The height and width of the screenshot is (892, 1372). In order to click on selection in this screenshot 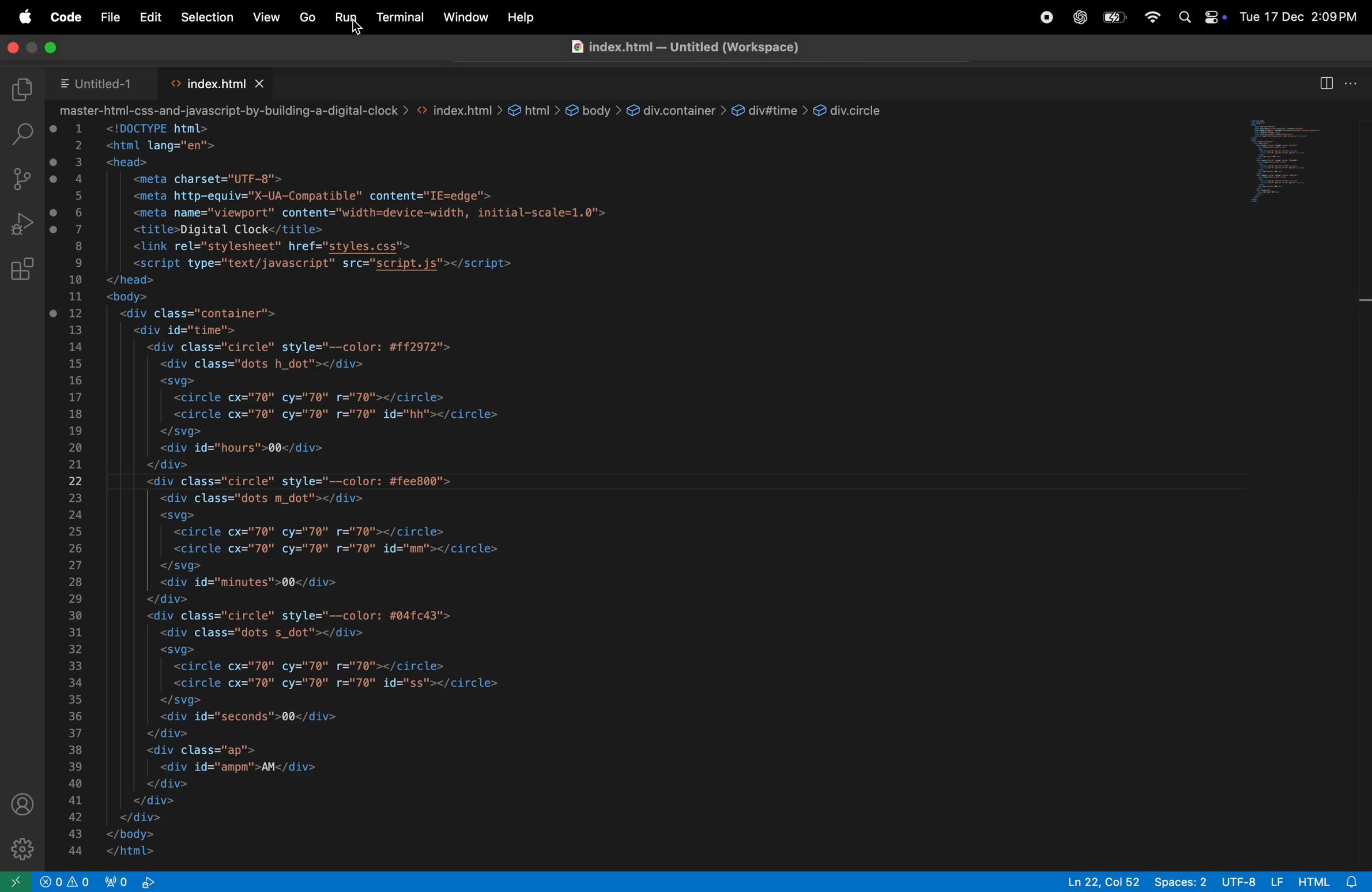, I will do `click(208, 18)`.